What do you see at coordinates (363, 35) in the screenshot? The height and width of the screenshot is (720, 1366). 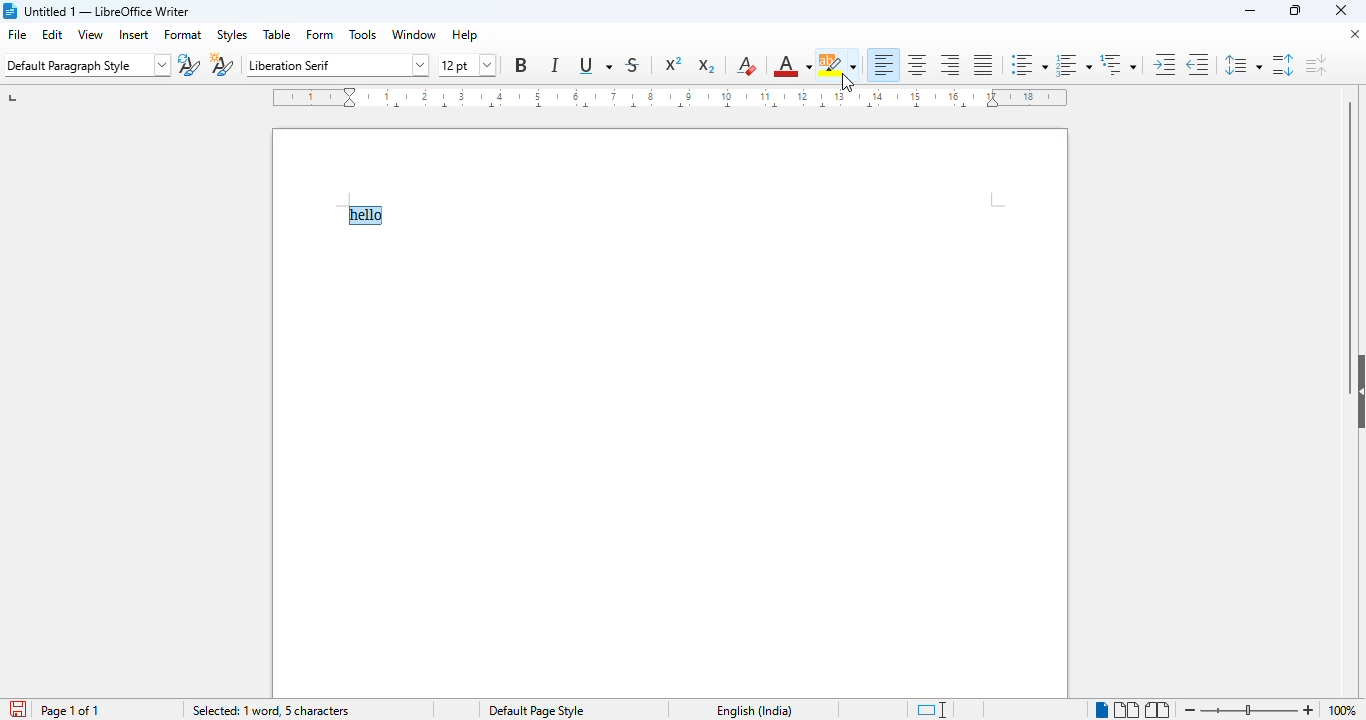 I see `tools` at bounding box center [363, 35].